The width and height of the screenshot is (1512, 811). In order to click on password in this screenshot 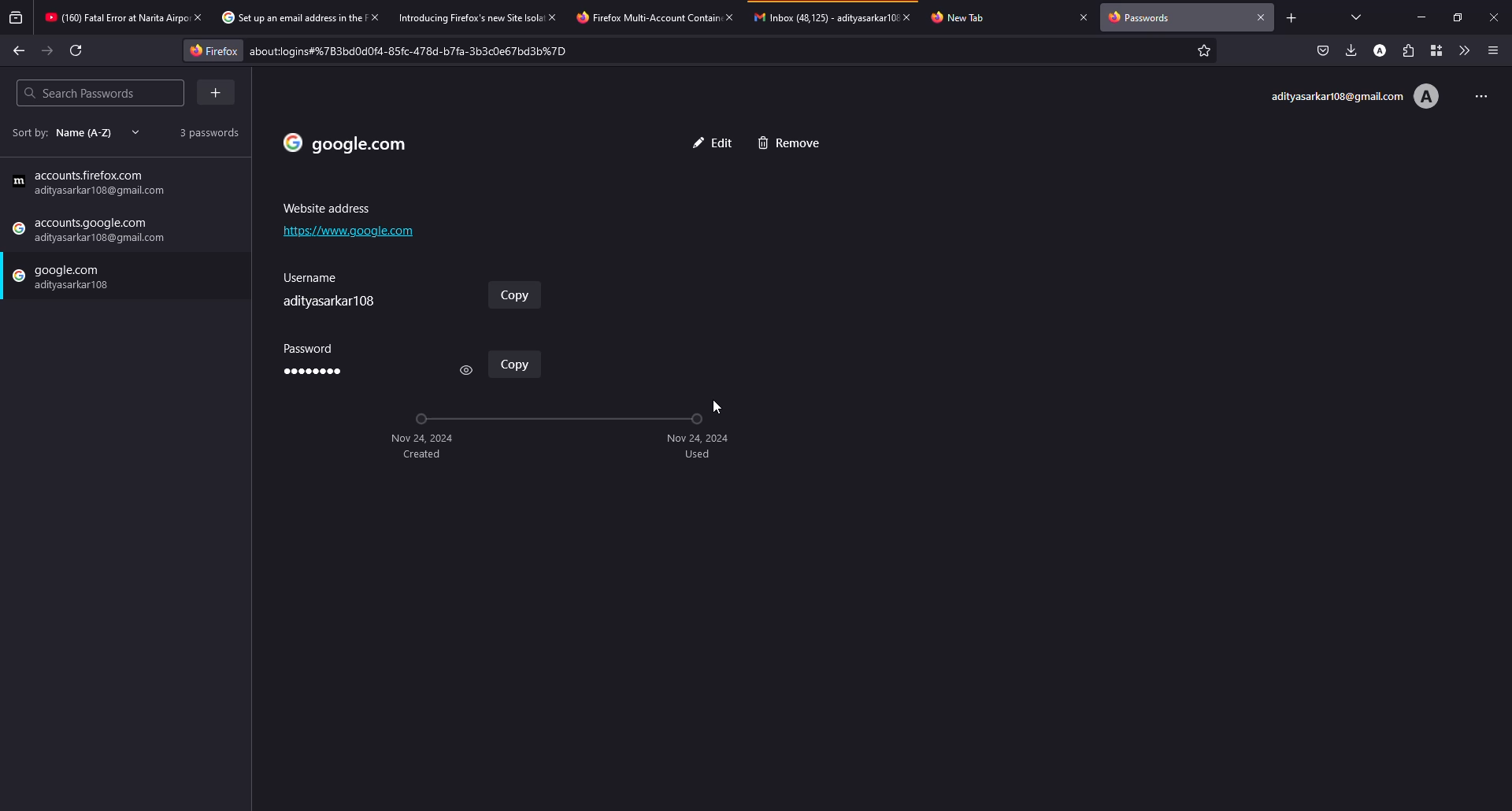, I will do `click(315, 349)`.